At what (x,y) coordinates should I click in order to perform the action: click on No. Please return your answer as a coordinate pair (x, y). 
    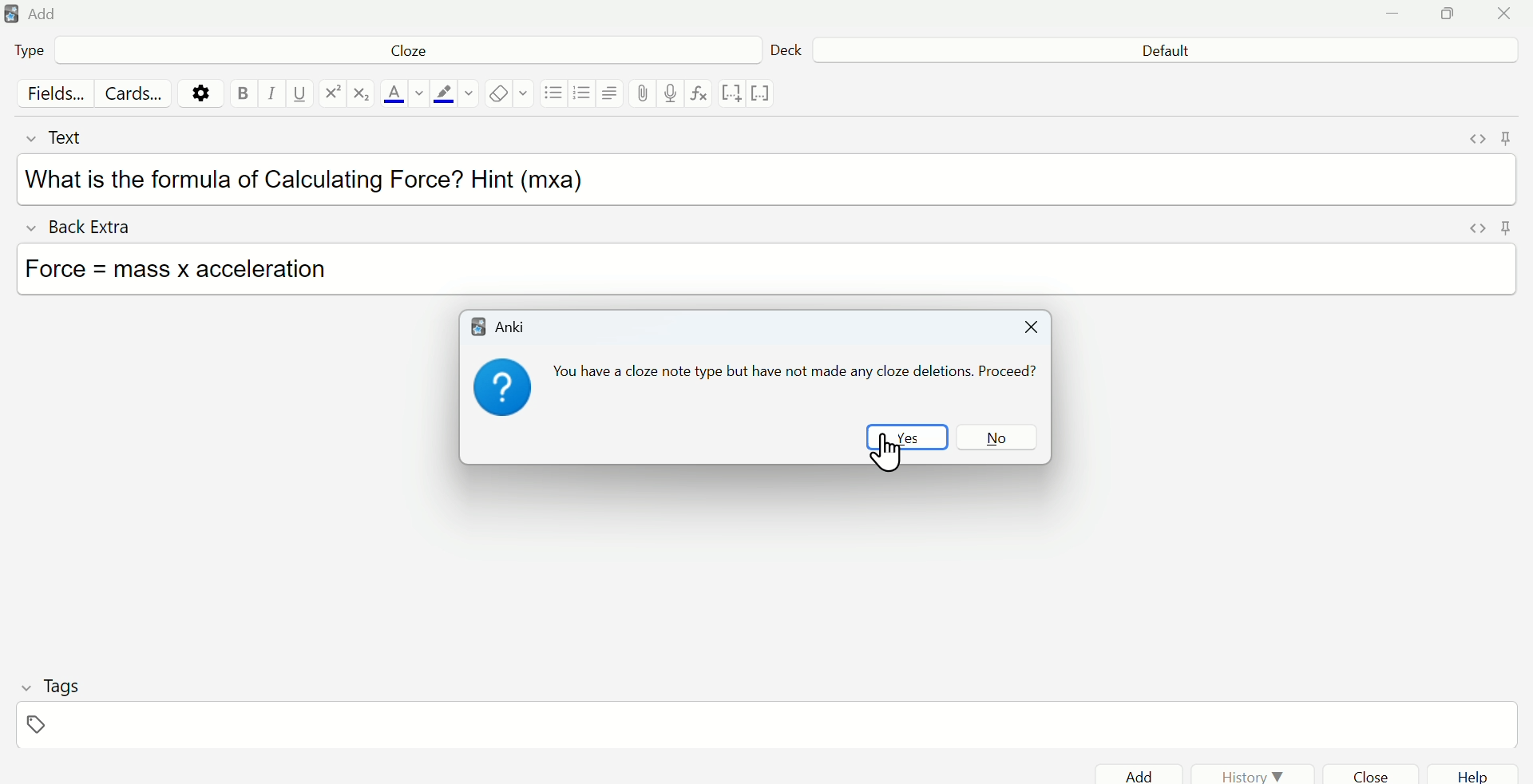
    Looking at the image, I should click on (1001, 439).